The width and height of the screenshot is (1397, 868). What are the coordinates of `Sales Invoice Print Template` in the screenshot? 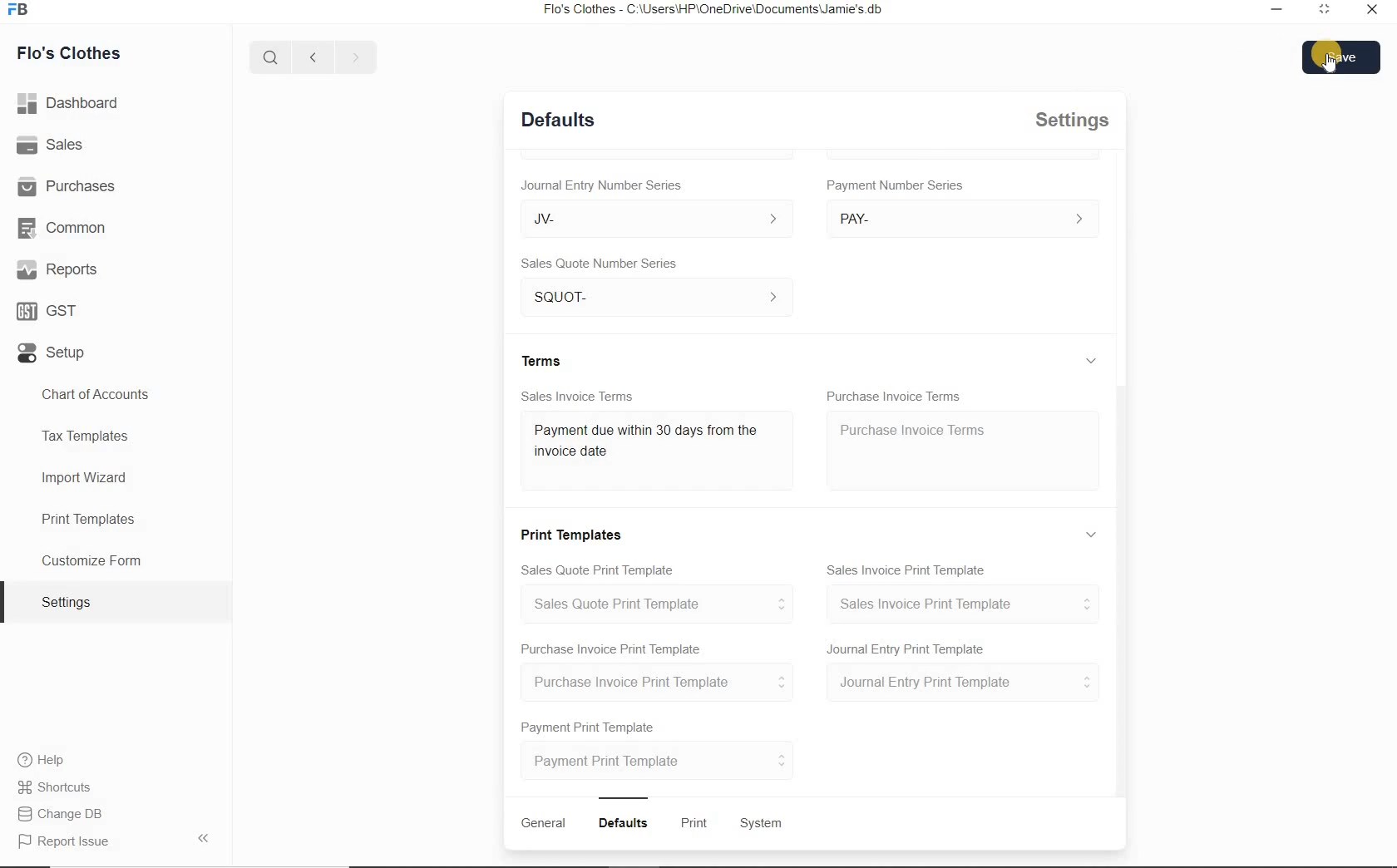 It's located at (960, 604).